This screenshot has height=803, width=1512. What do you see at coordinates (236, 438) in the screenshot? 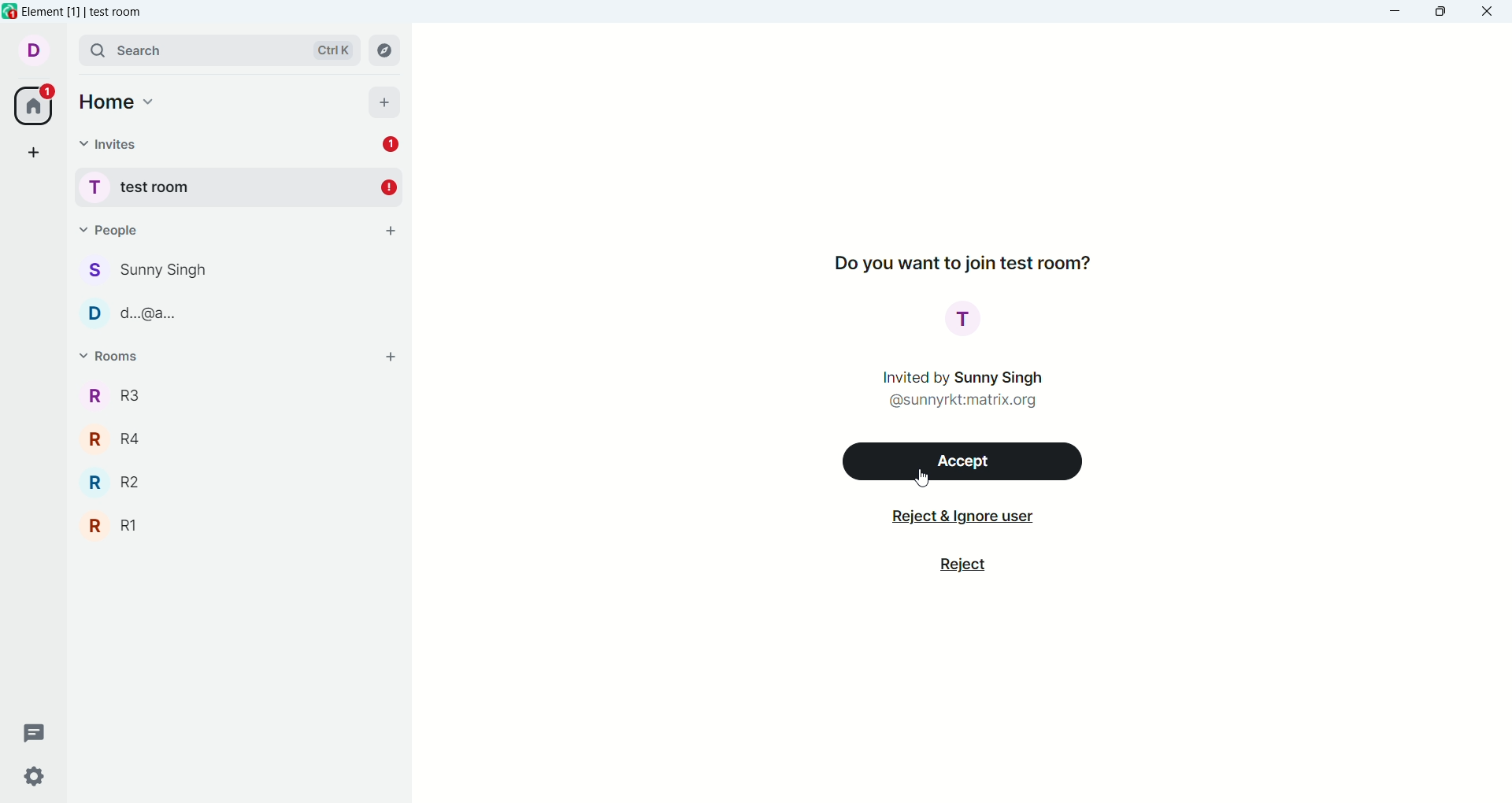
I see `R4` at bounding box center [236, 438].